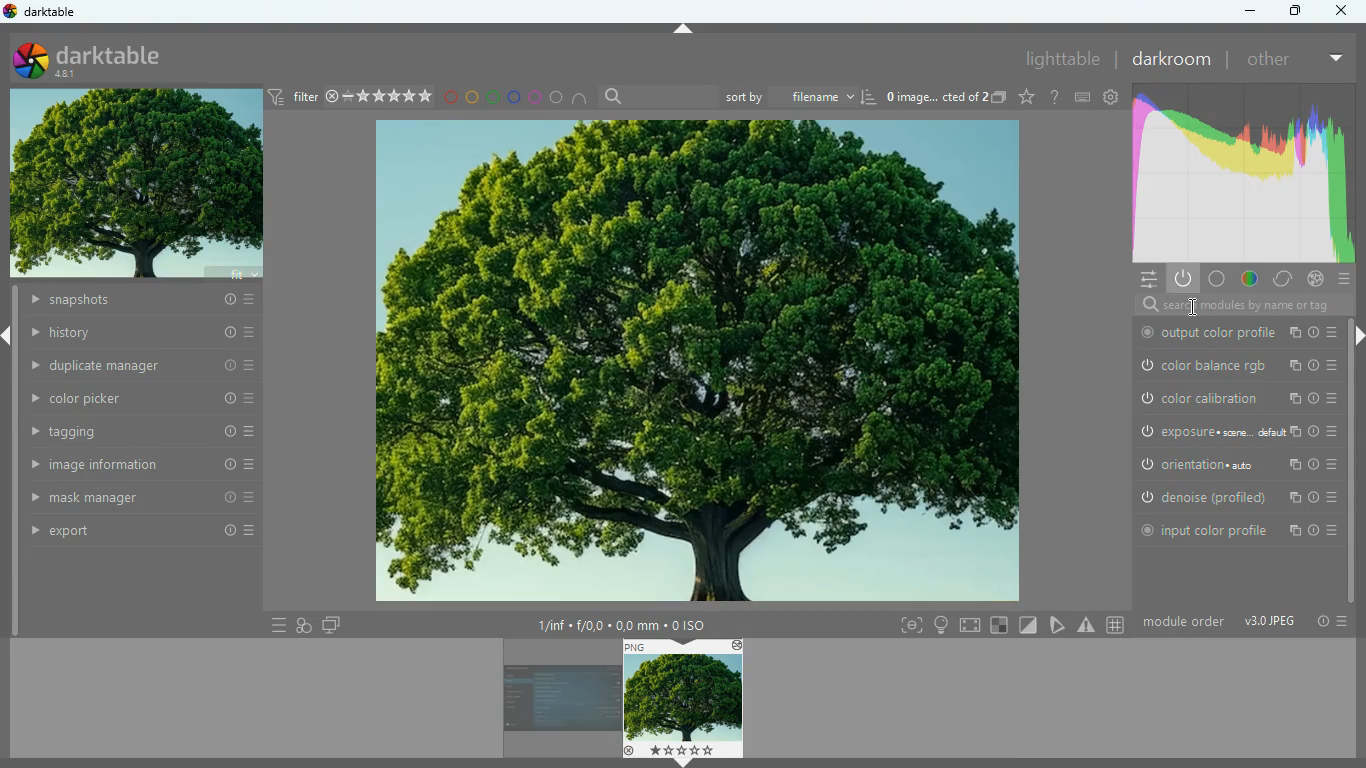 The height and width of the screenshot is (768, 1366). What do you see at coordinates (517, 99) in the screenshot?
I see `blue` at bounding box center [517, 99].